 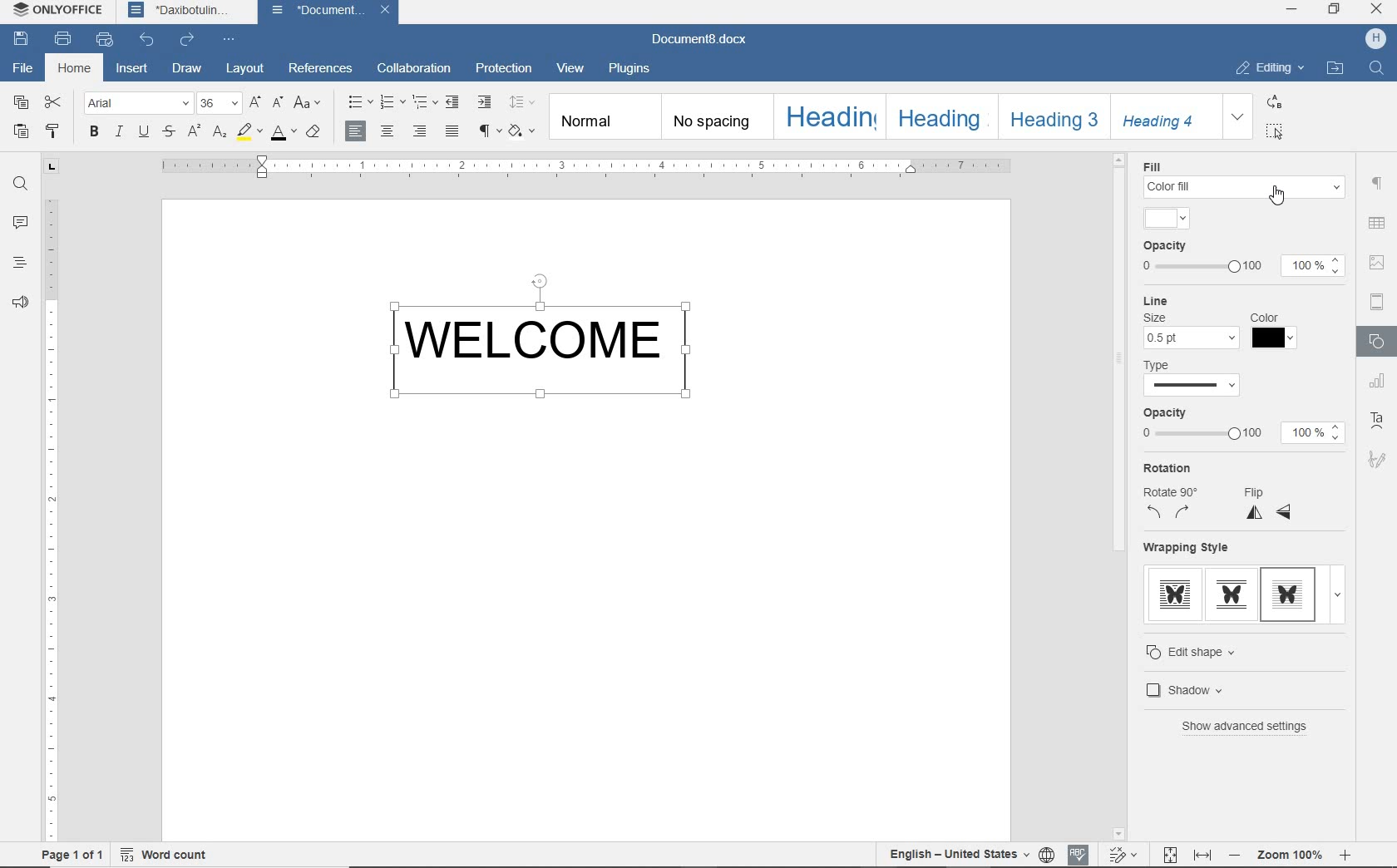 I want to click on CLEAR STYLE, so click(x=313, y=132).